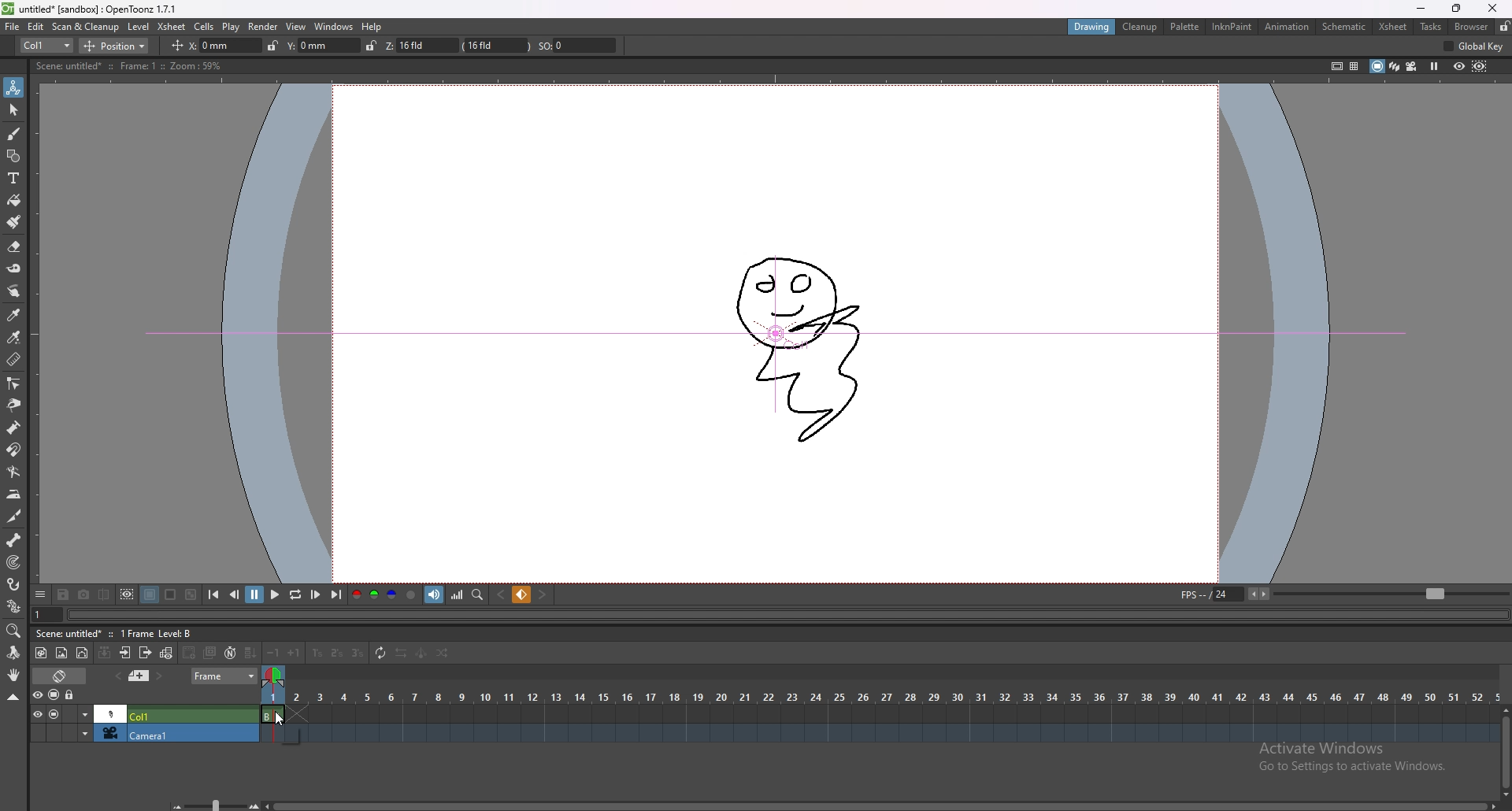 The height and width of the screenshot is (811, 1512). What do you see at coordinates (104, 594) in the screenshot?
I see `compare to snapshot` at bounding box center [104, 594].